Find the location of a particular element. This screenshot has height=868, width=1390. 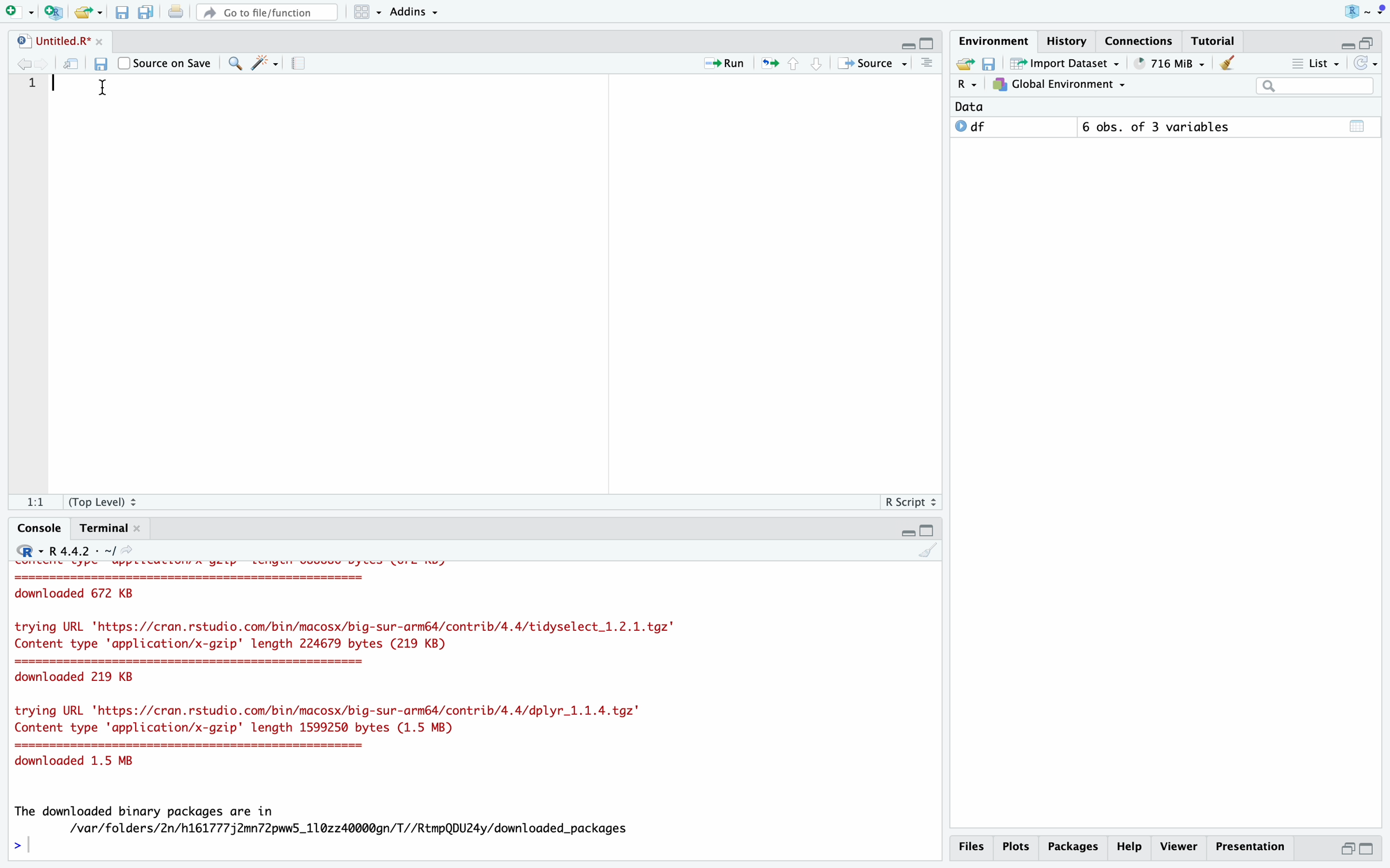

Source on Save is located at coordinates (163, 62).